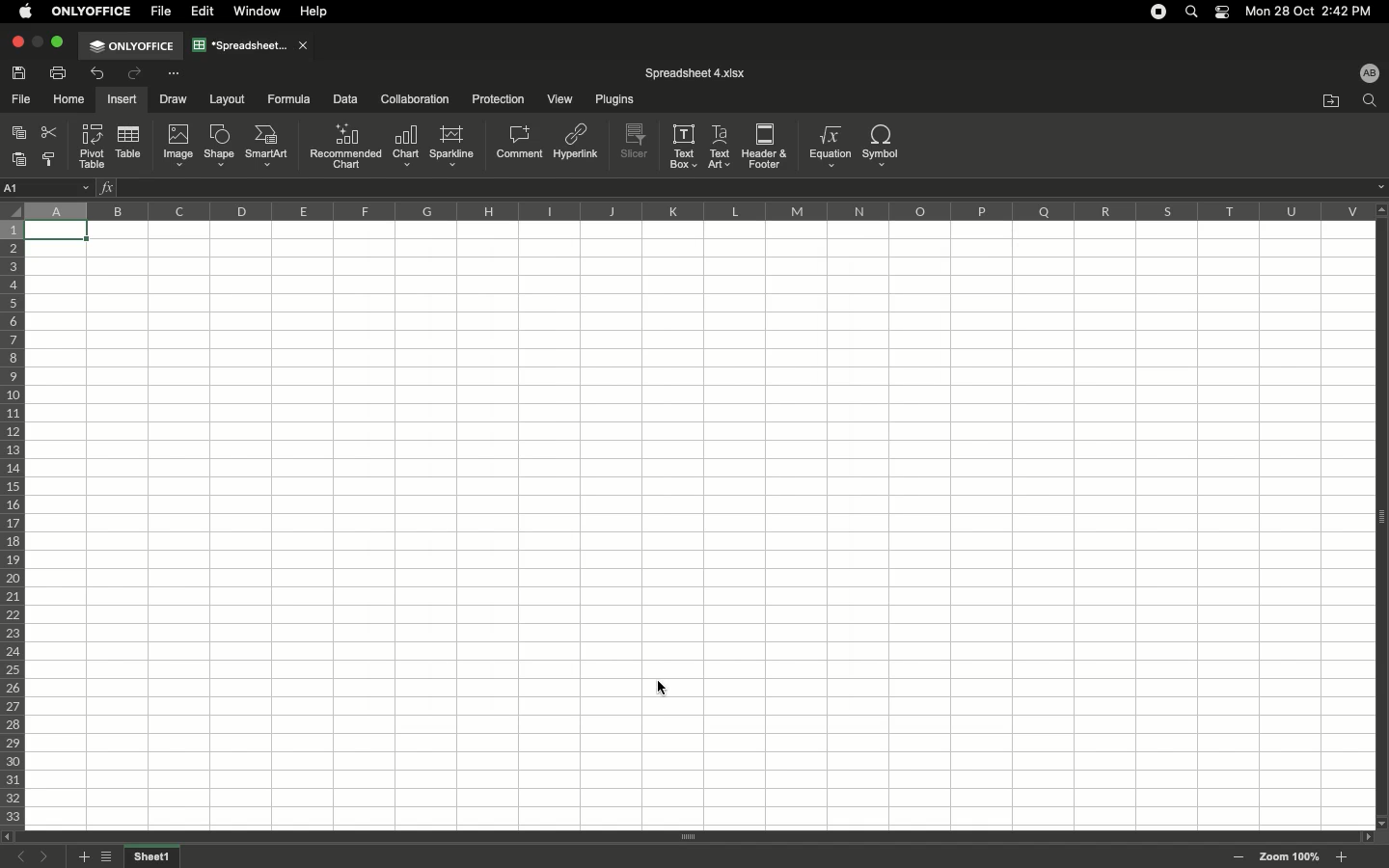  What do you see at coordinates (228, 99) in the screenshot?
I see `Layout` at bounding box center [228, 99].